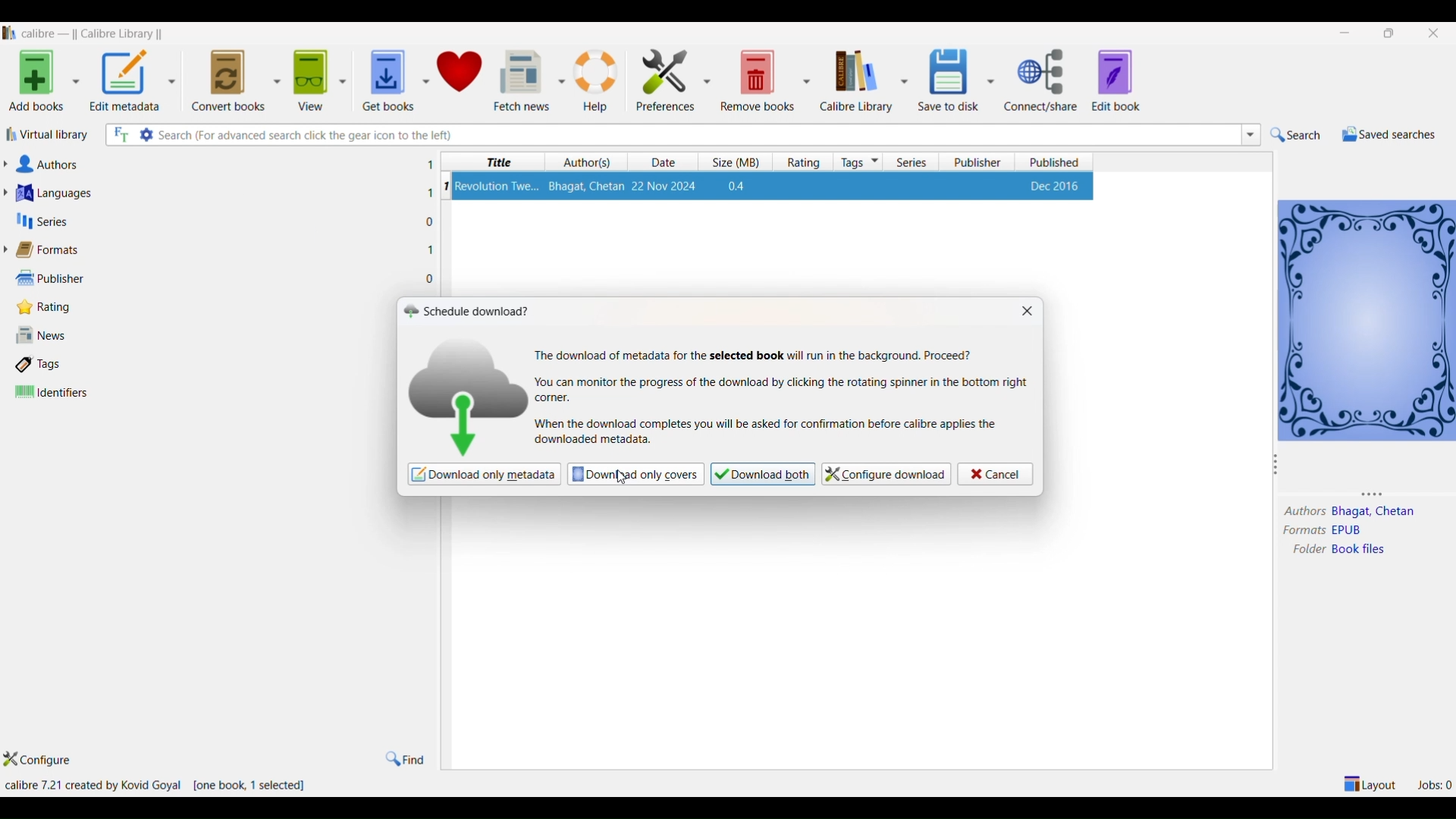 This screenshot has height=819, width=1456. I want to click on maximize , so click(1392, 33).